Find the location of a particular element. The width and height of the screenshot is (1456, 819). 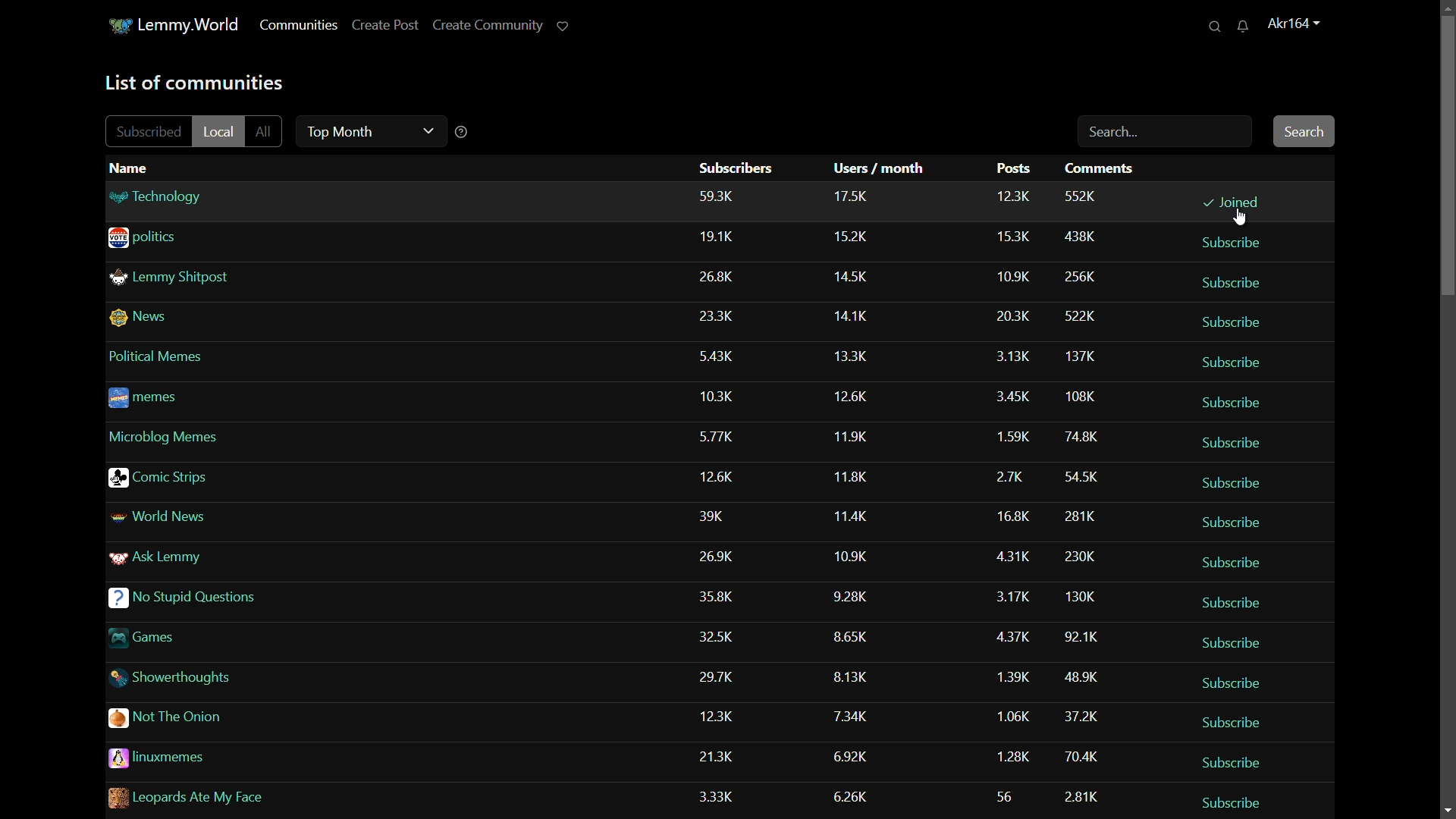

posts is located at coordinates (1016, 237).